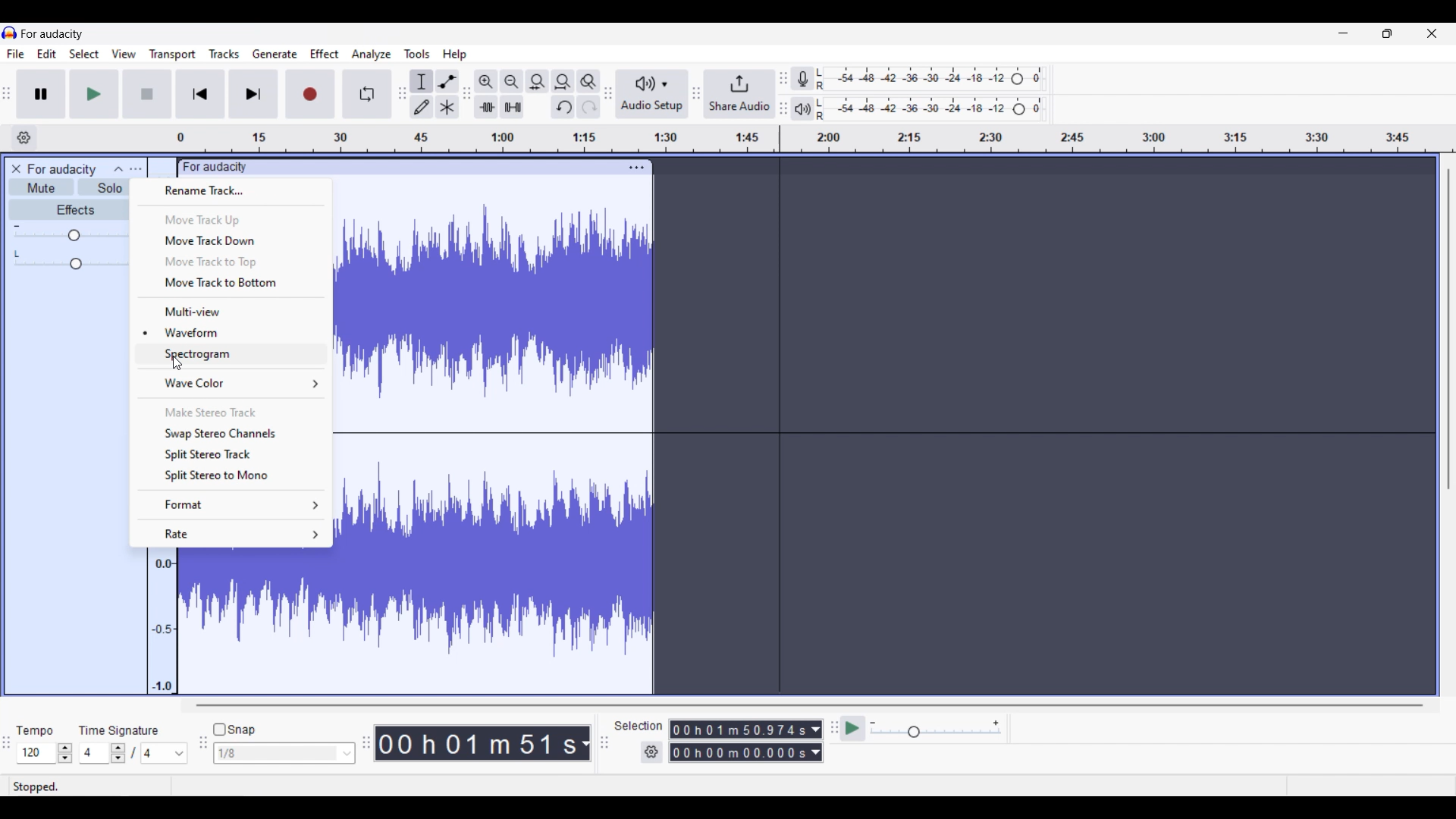  I want to click on Enable looping, so click(366, 94).